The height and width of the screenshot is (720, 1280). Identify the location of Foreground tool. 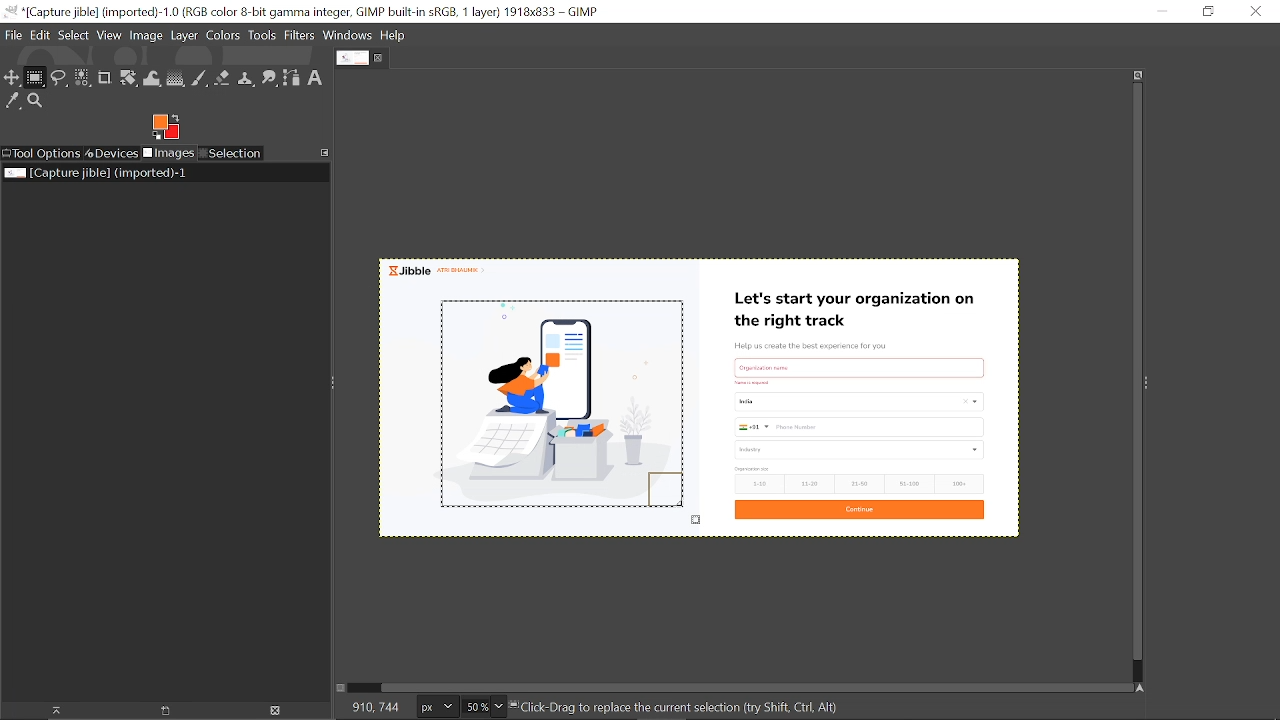
(165, 127).